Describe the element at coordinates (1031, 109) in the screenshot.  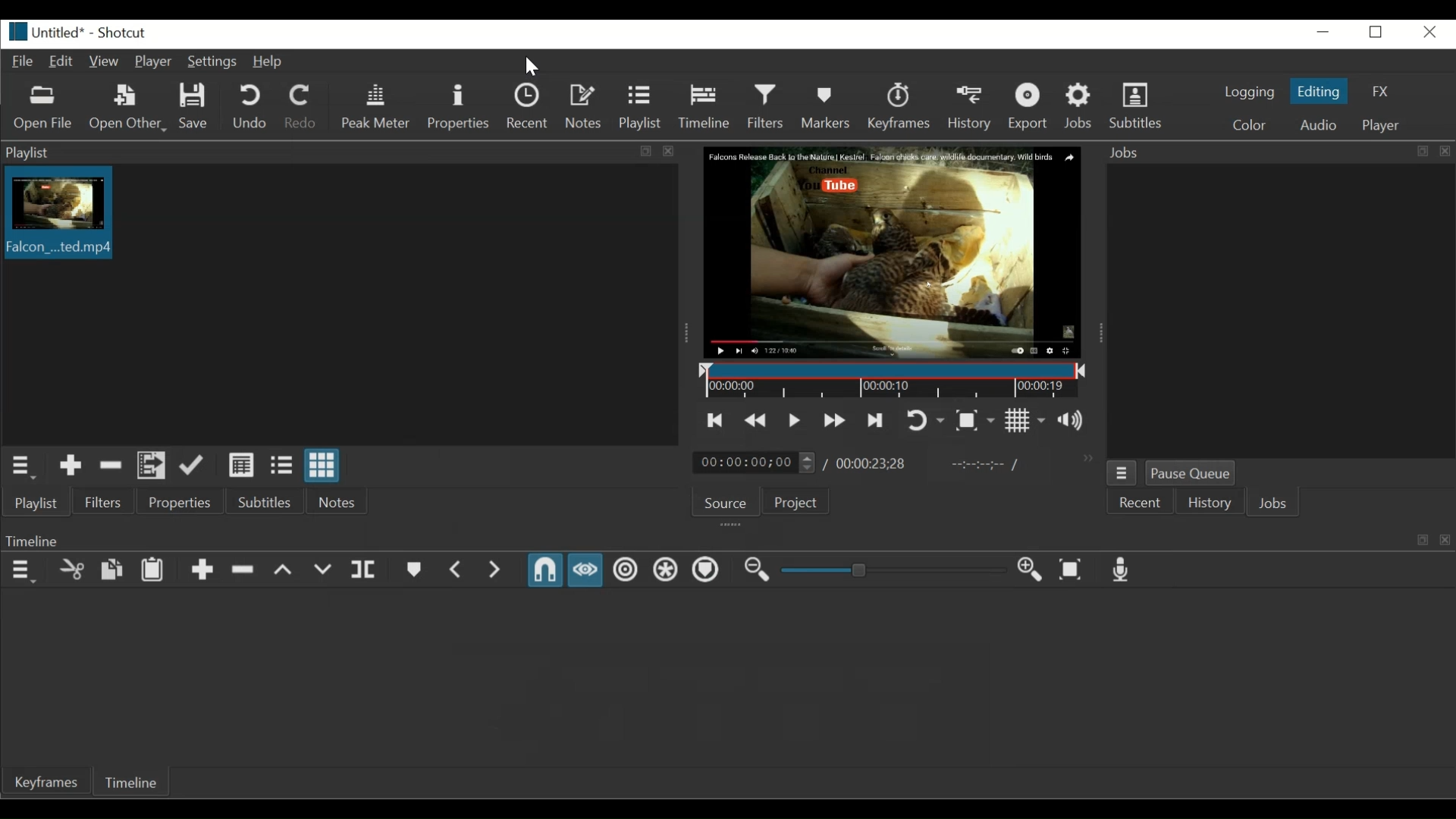
I see `Export` at that location.